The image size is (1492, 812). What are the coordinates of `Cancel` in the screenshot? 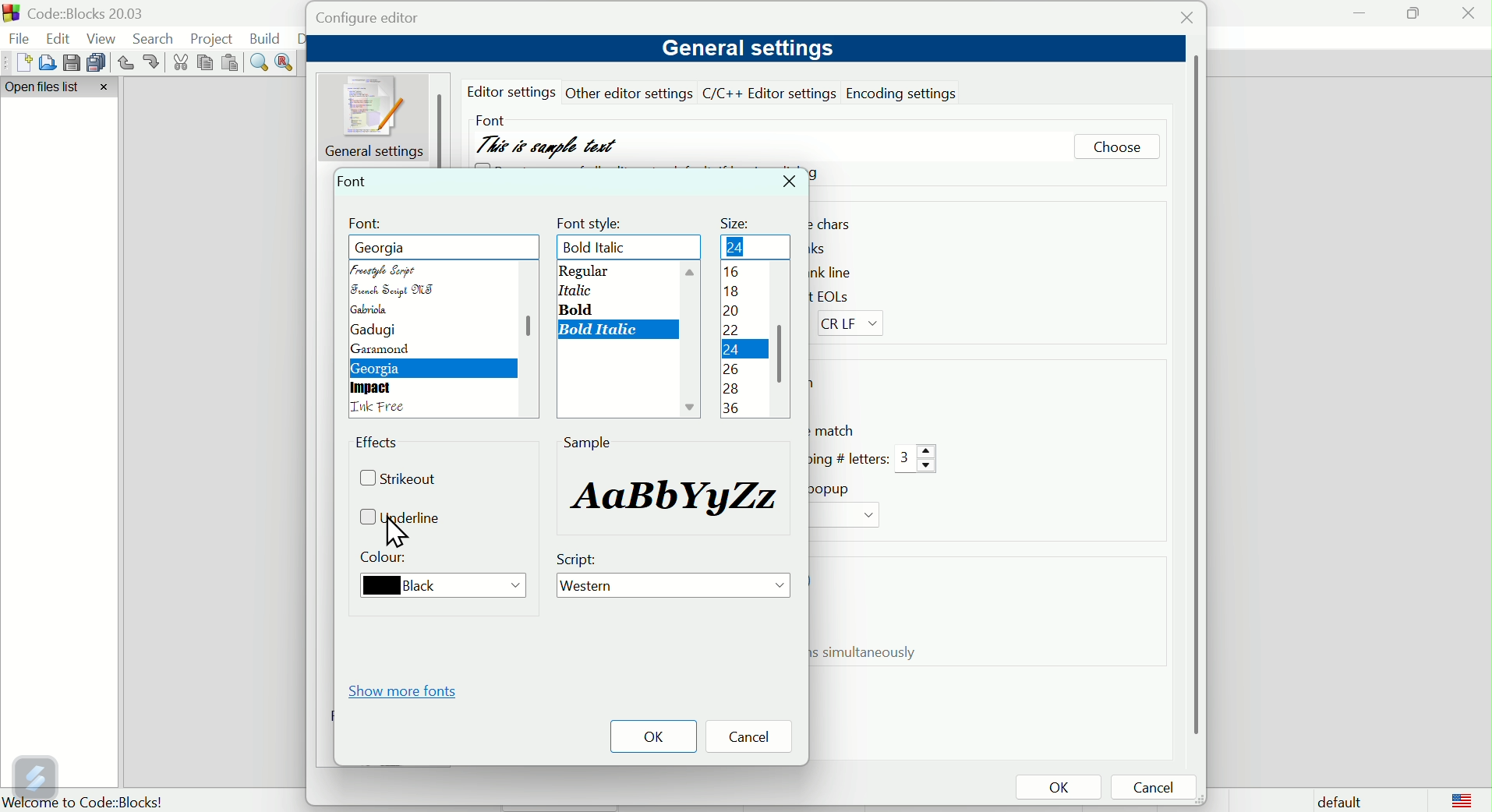 It's located at (1158, 789).